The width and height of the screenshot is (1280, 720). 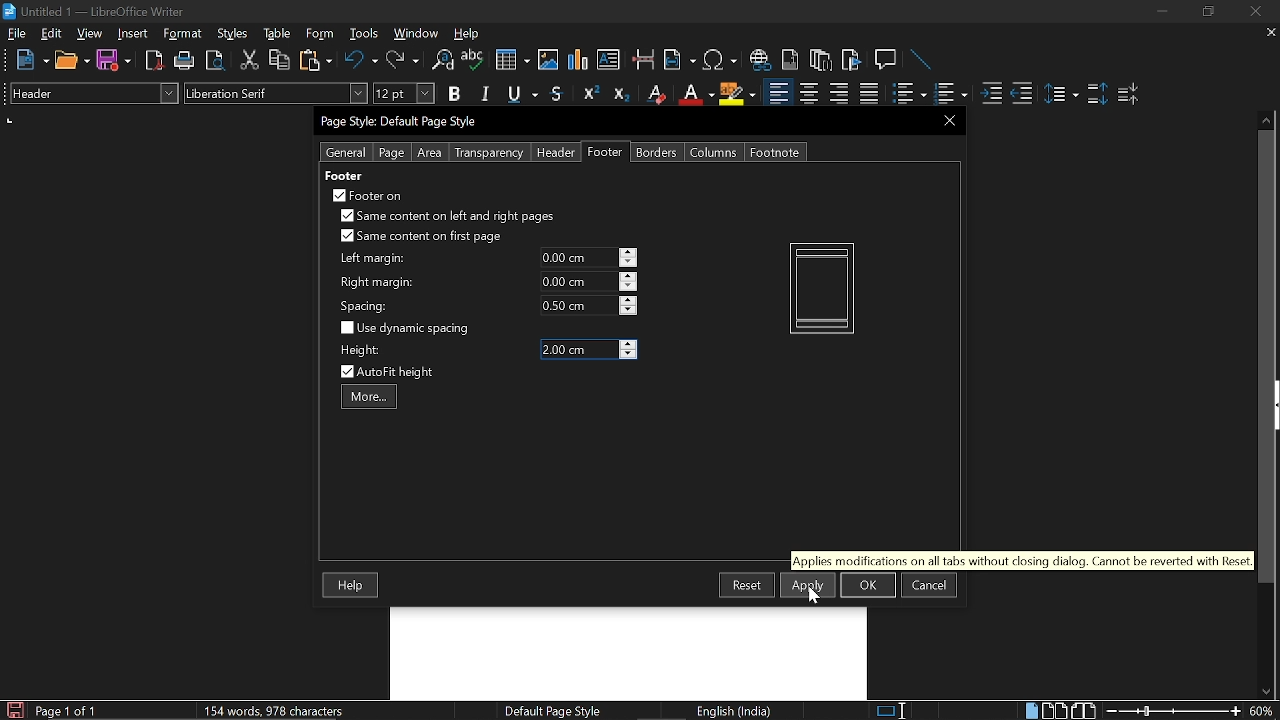 I want to click on Set line spacing, so click(x=1060, y=94).